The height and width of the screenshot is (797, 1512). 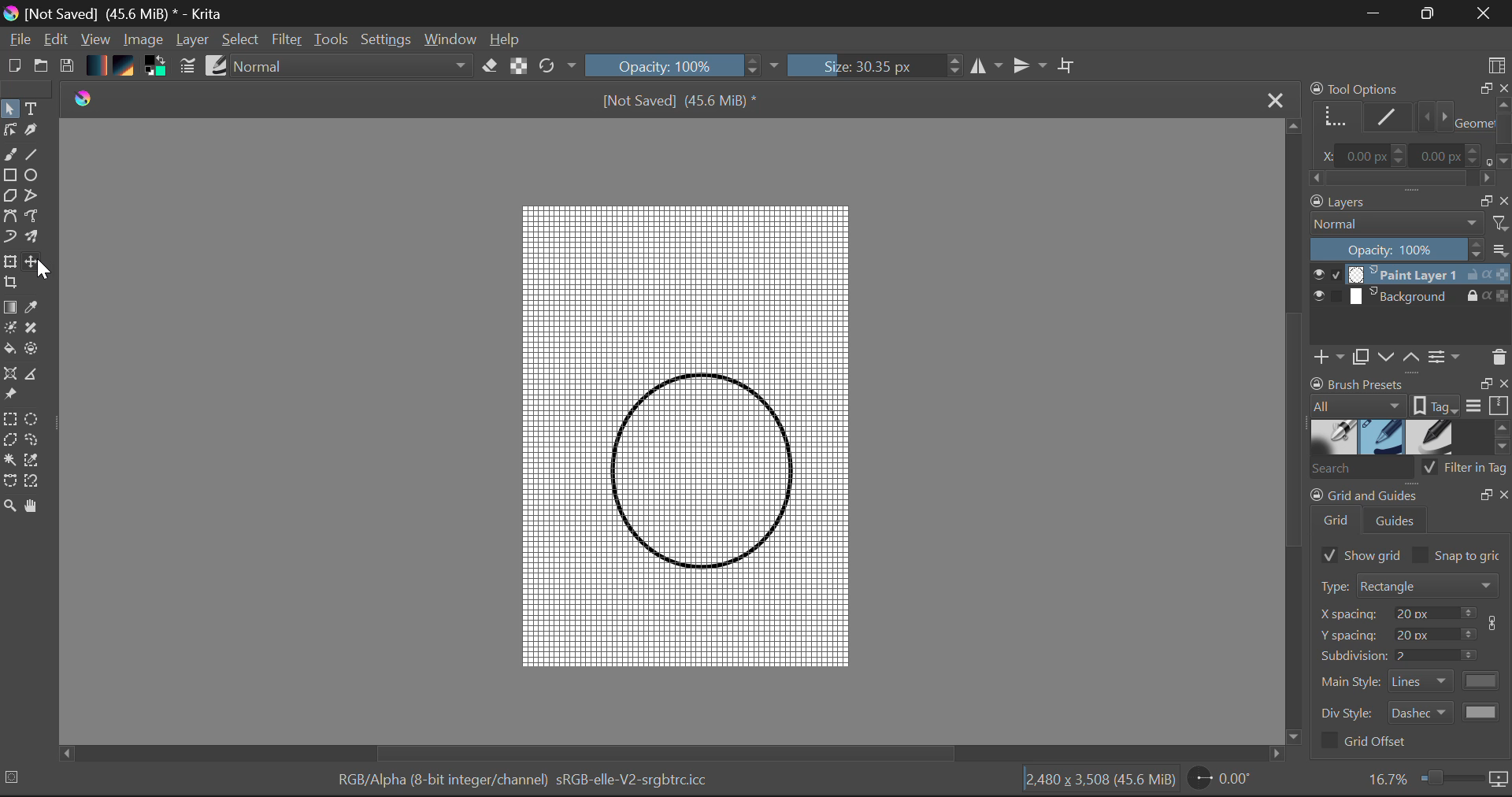 I want to click on Colors in use, so click(x=159, y=69).